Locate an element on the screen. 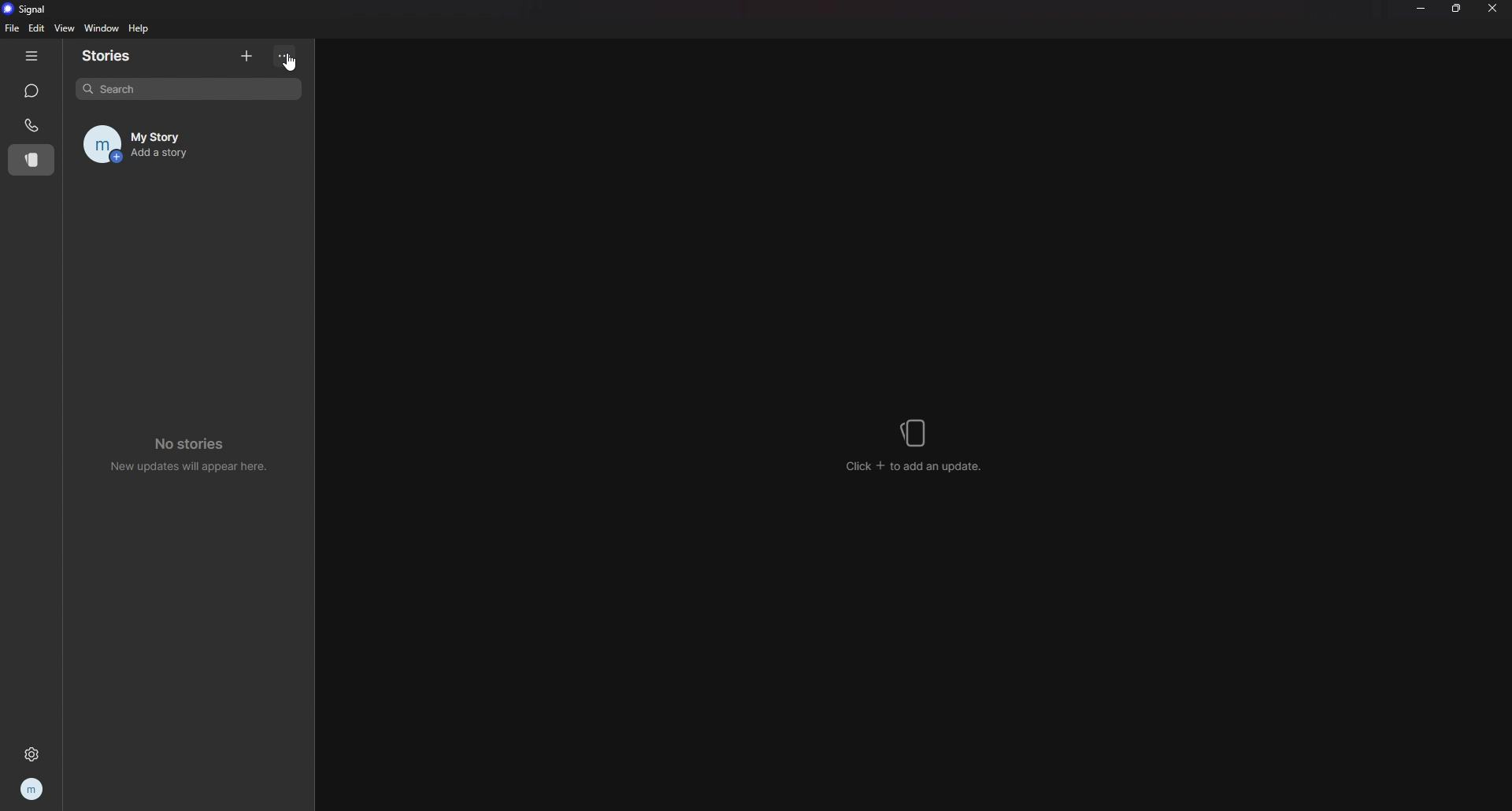  edit is located at coordinates (36, 28).